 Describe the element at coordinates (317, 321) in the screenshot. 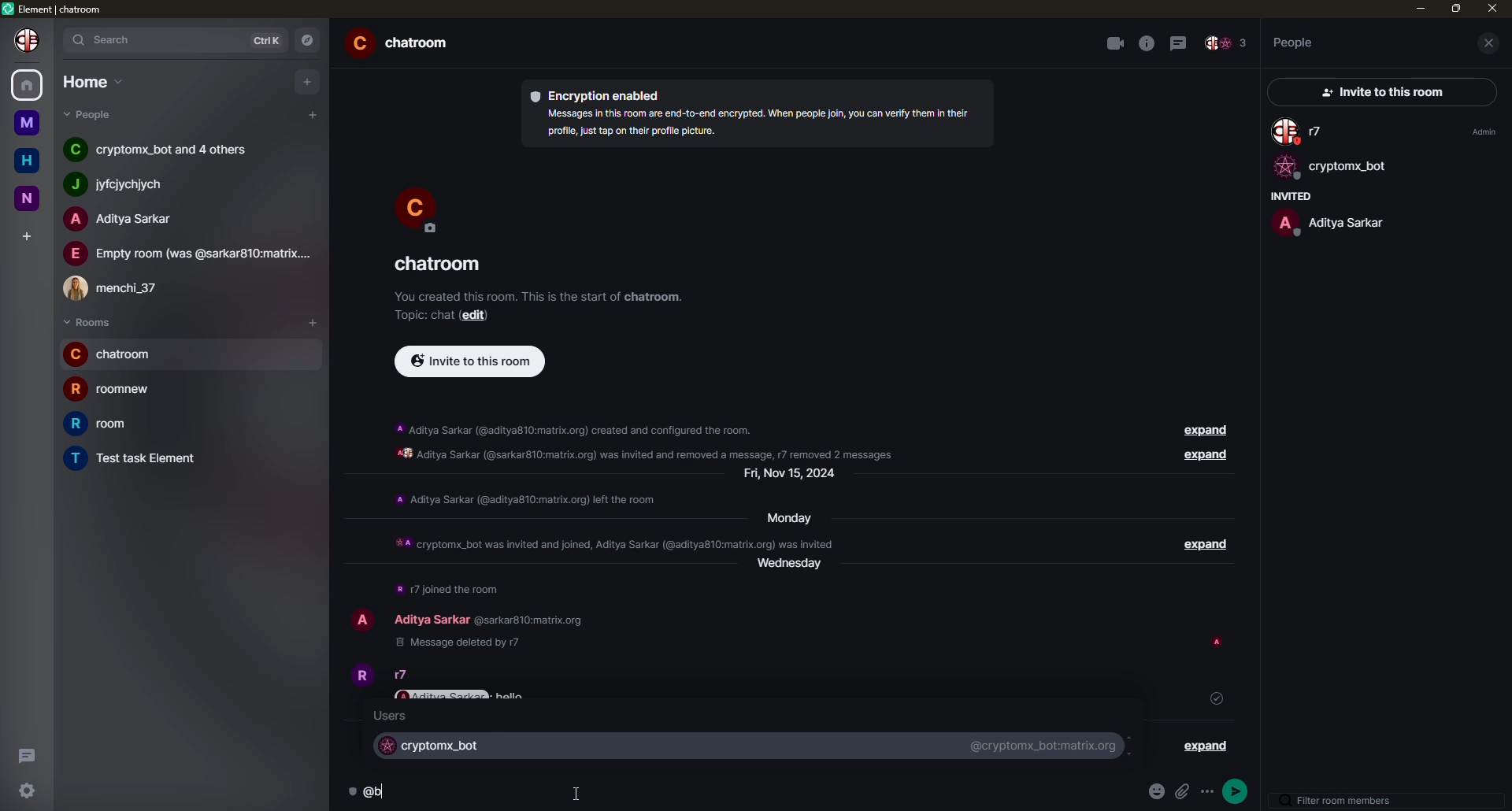

I see `add` at that location.